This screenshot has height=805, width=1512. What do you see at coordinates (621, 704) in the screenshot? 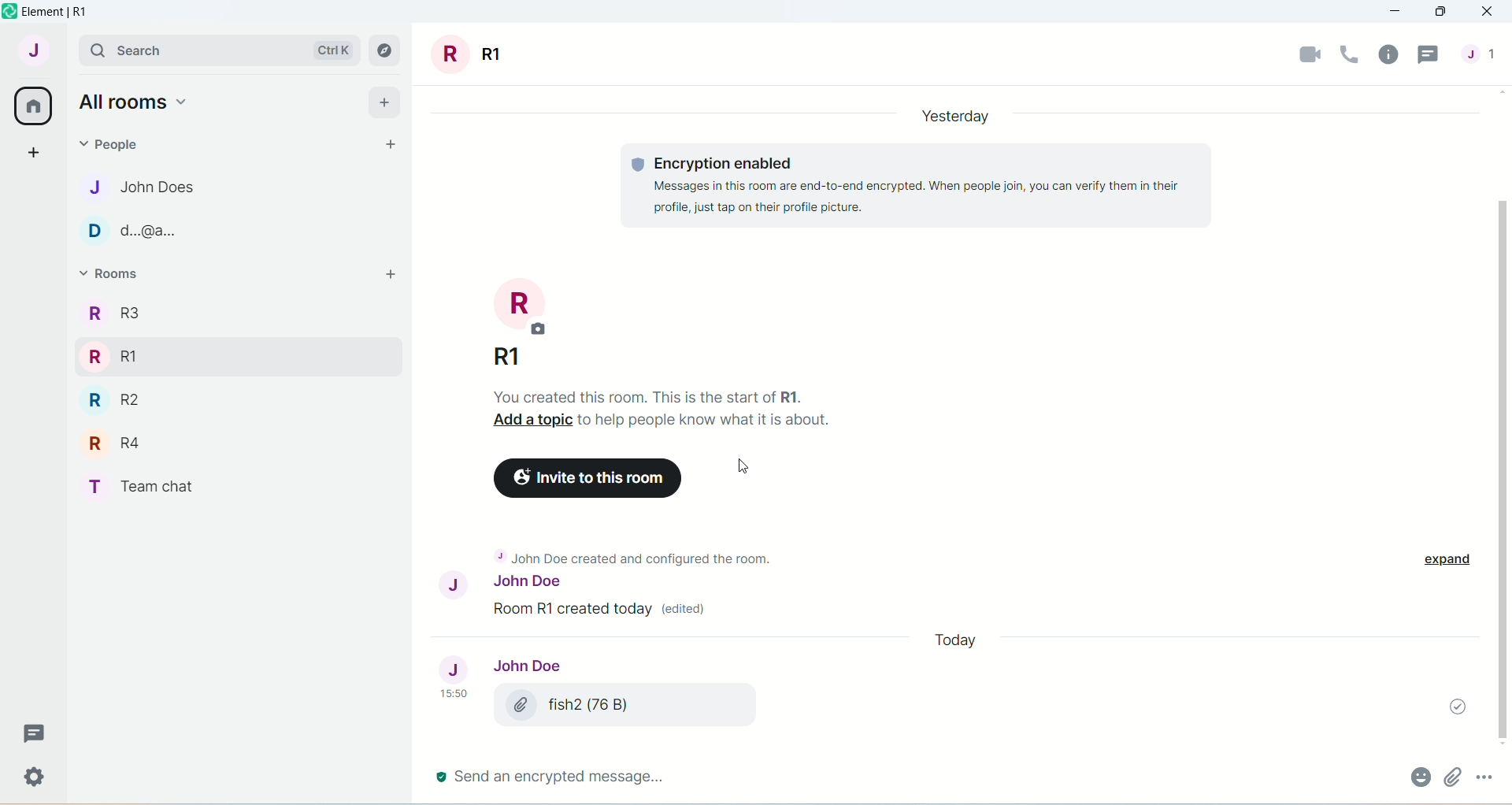
I see `fish (76 B)` at bounding box center [621, 704].